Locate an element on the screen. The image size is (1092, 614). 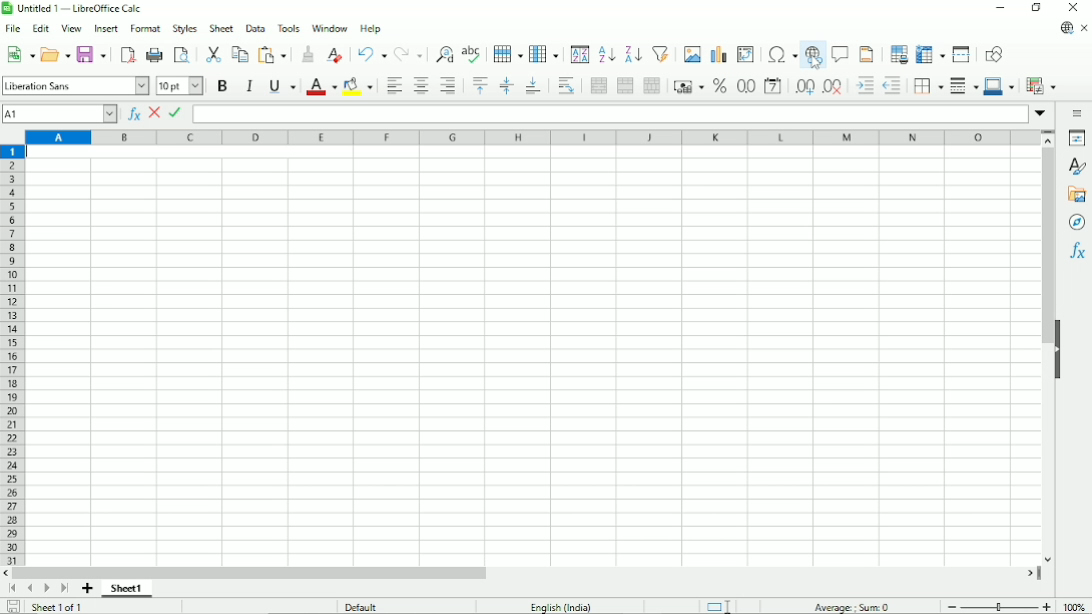
Format as currency is located at coordinates (688, 87).